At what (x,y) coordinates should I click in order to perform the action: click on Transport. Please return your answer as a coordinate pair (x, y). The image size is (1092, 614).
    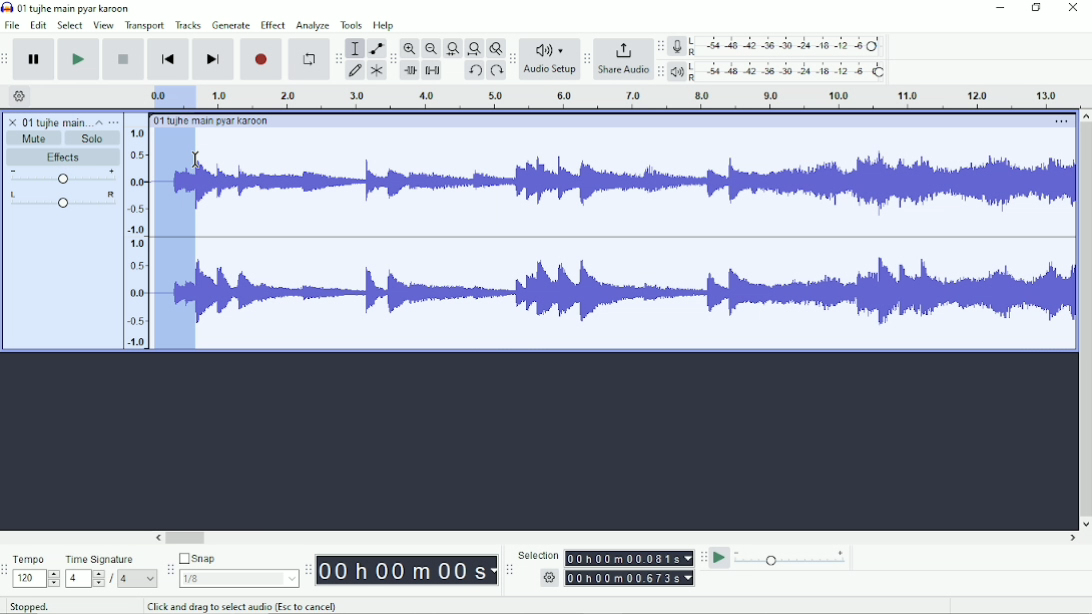
    Looking at the image, I should click on (145, 26).